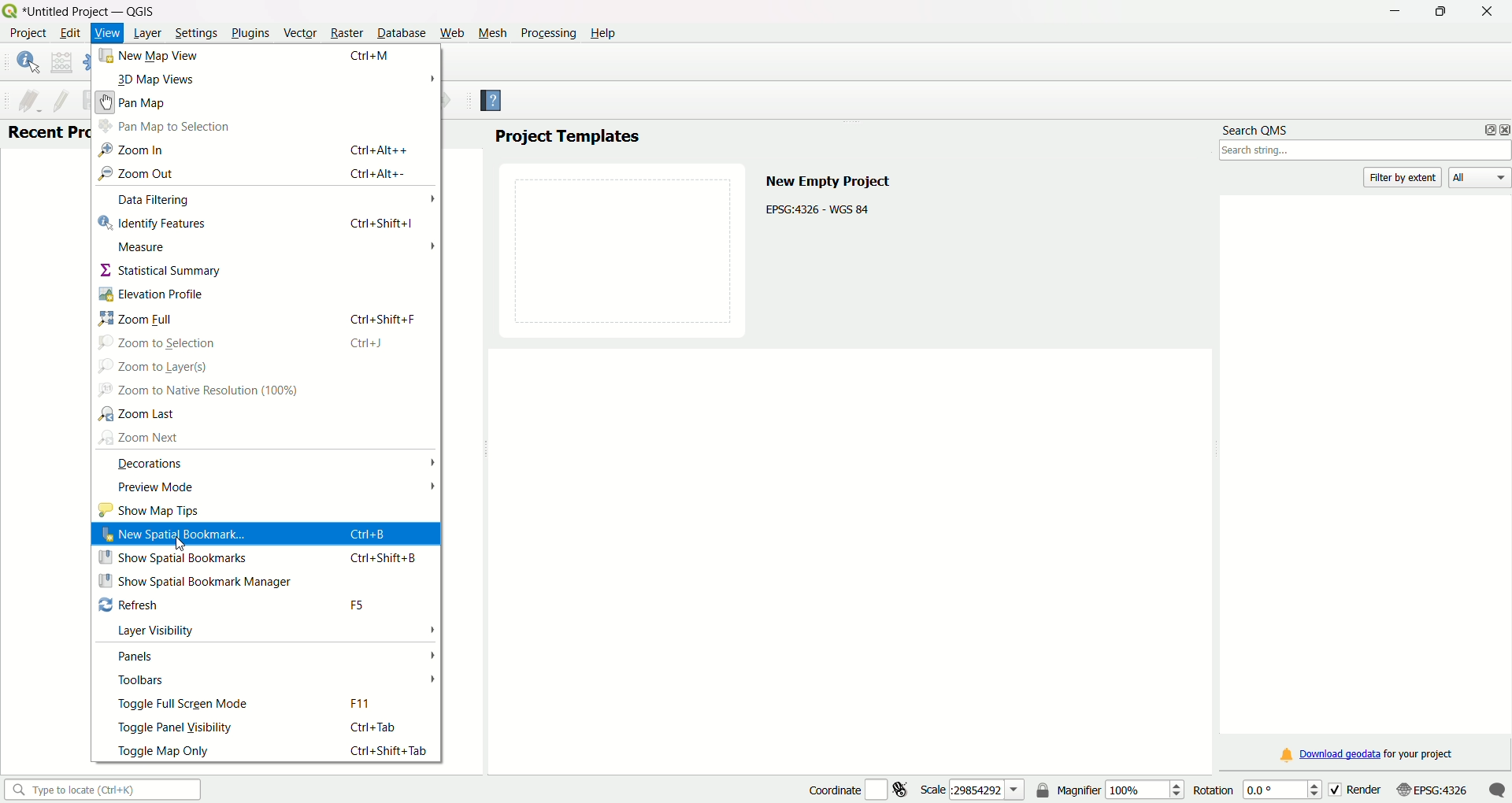 This screenshot has height=803, width=1512. I want to click on toggle panel visibility, so click(178, 727).